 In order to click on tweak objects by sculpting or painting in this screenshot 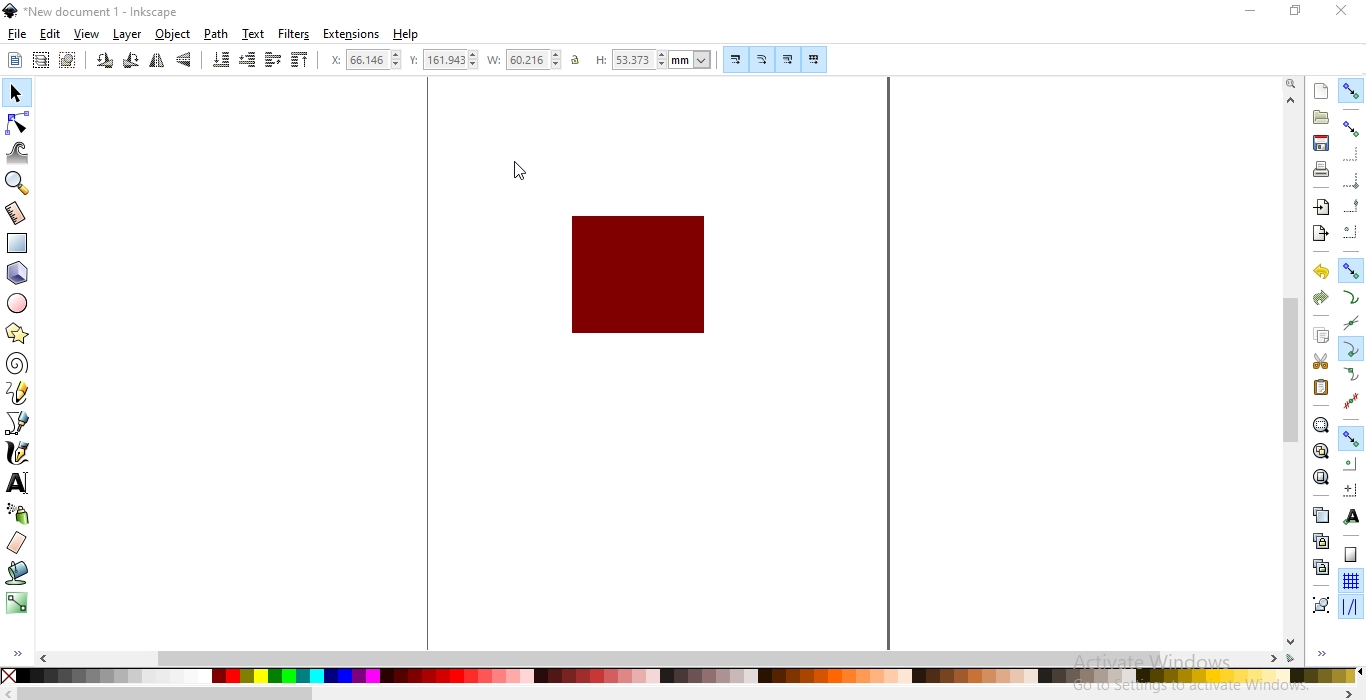, I will do `click(20, 152)`.